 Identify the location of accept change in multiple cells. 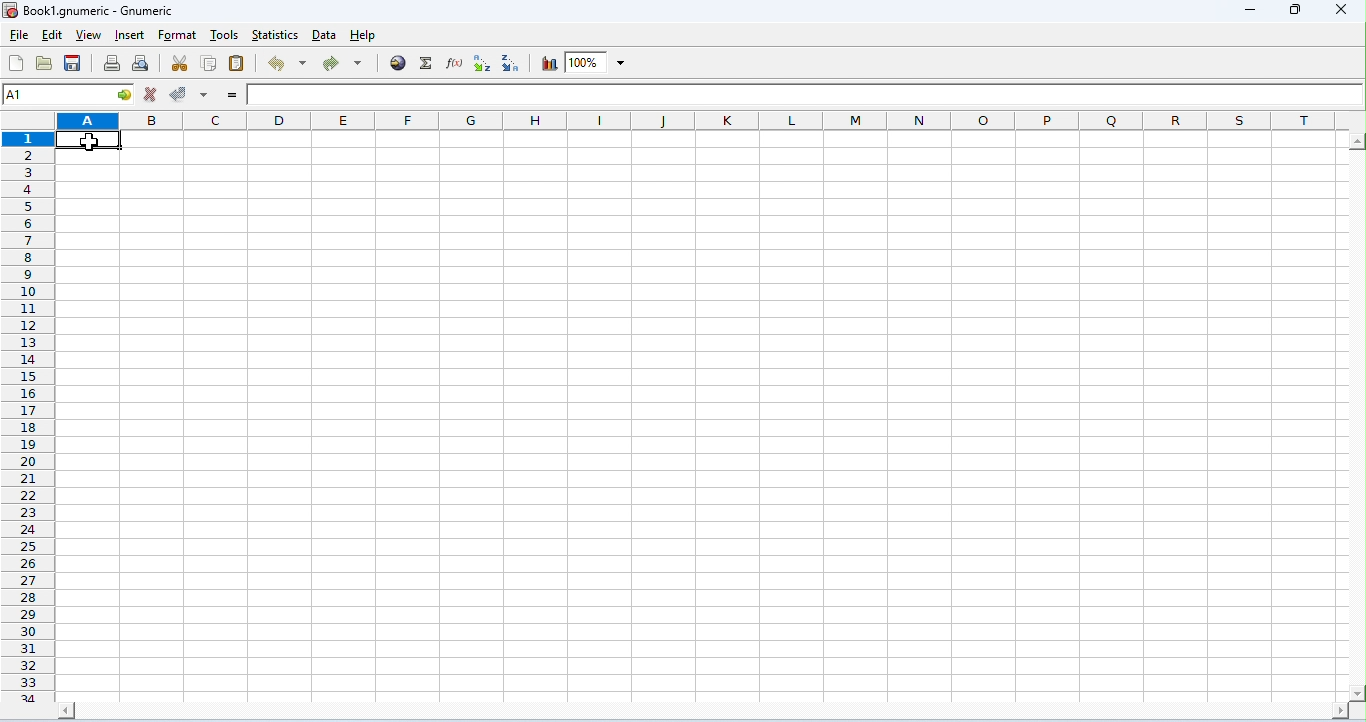
(203, 93).